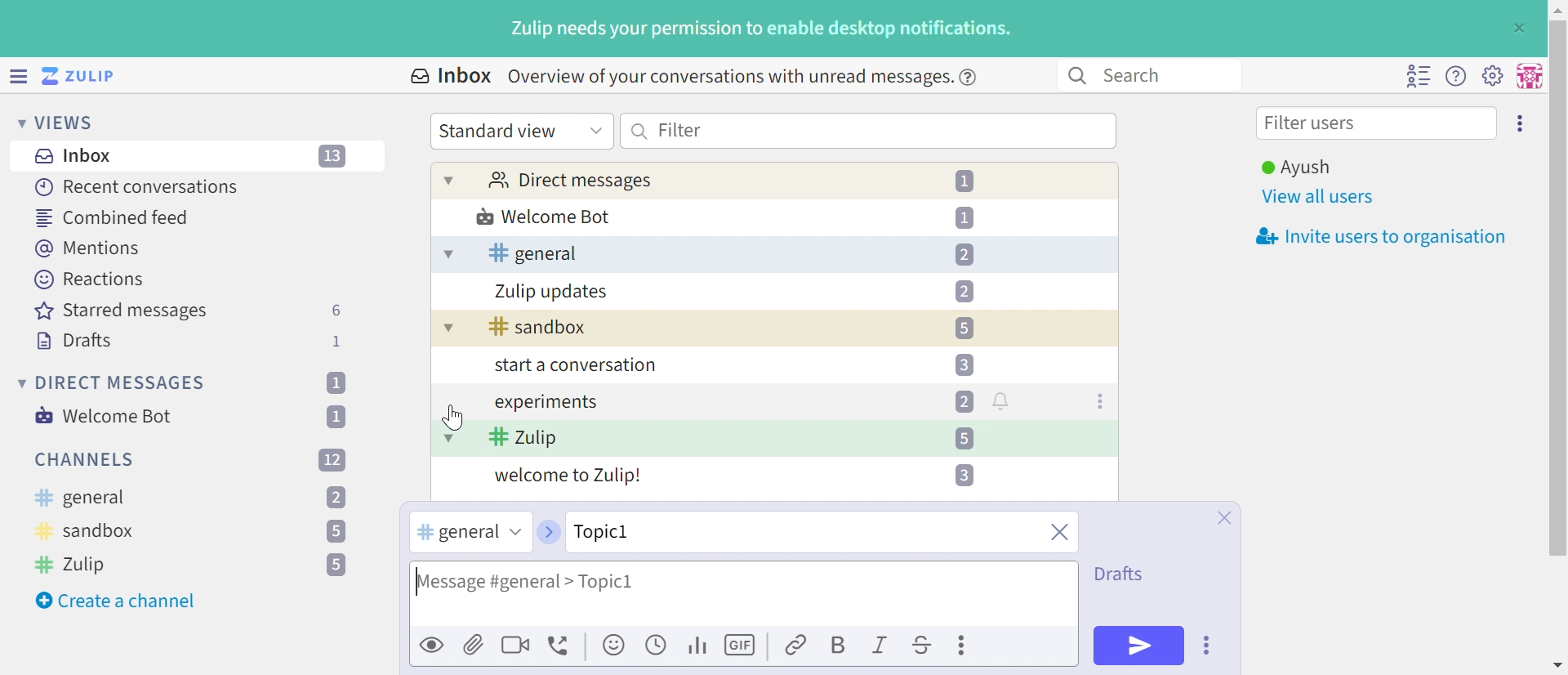 The image size is (1568, 675). I want to click on Recent conversations, so click(138, 186).